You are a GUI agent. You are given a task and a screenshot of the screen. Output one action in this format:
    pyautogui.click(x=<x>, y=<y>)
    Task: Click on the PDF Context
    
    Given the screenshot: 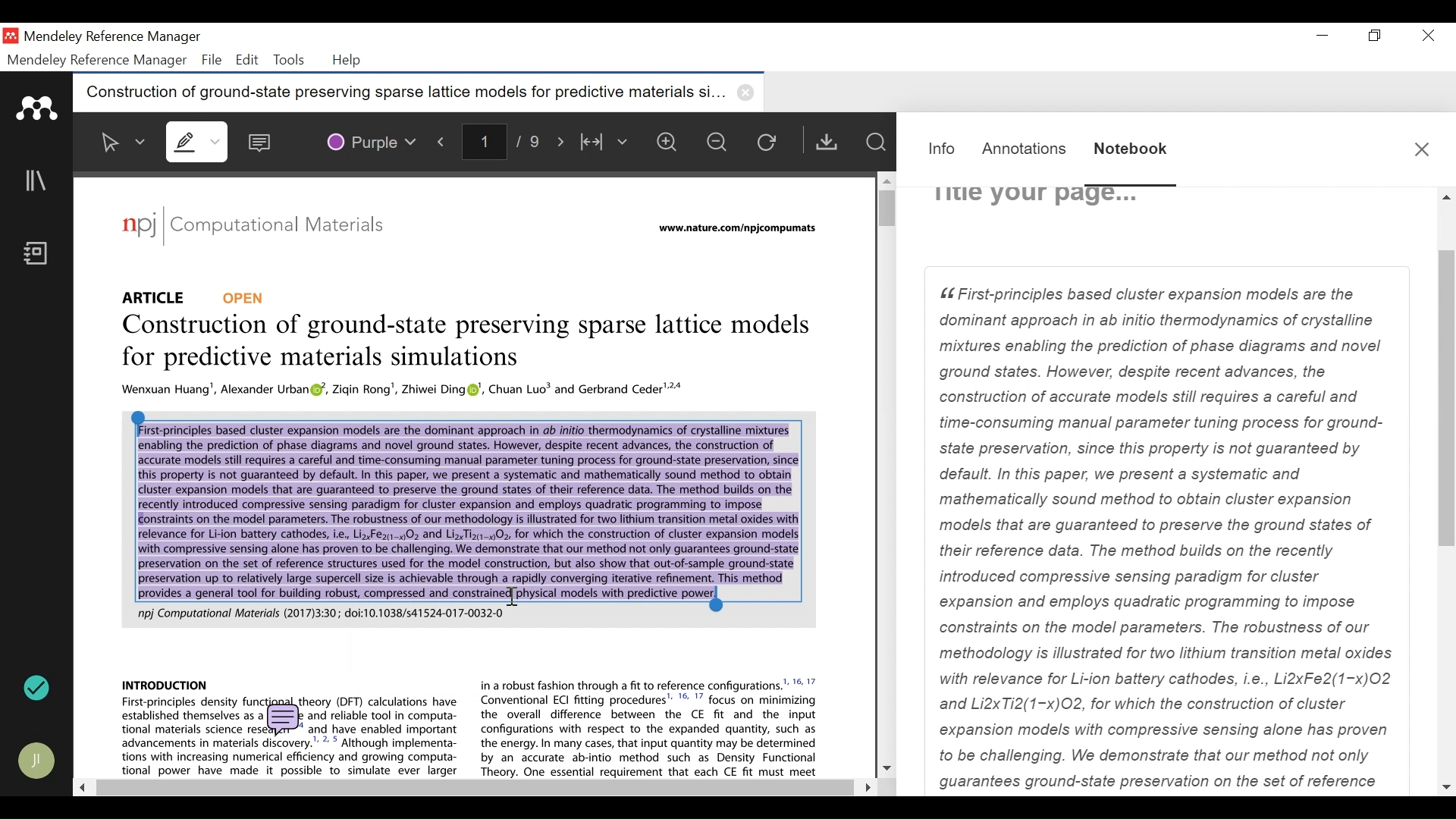 What is the action you would take?
    pyautogui.click(x=467, y=510)
    